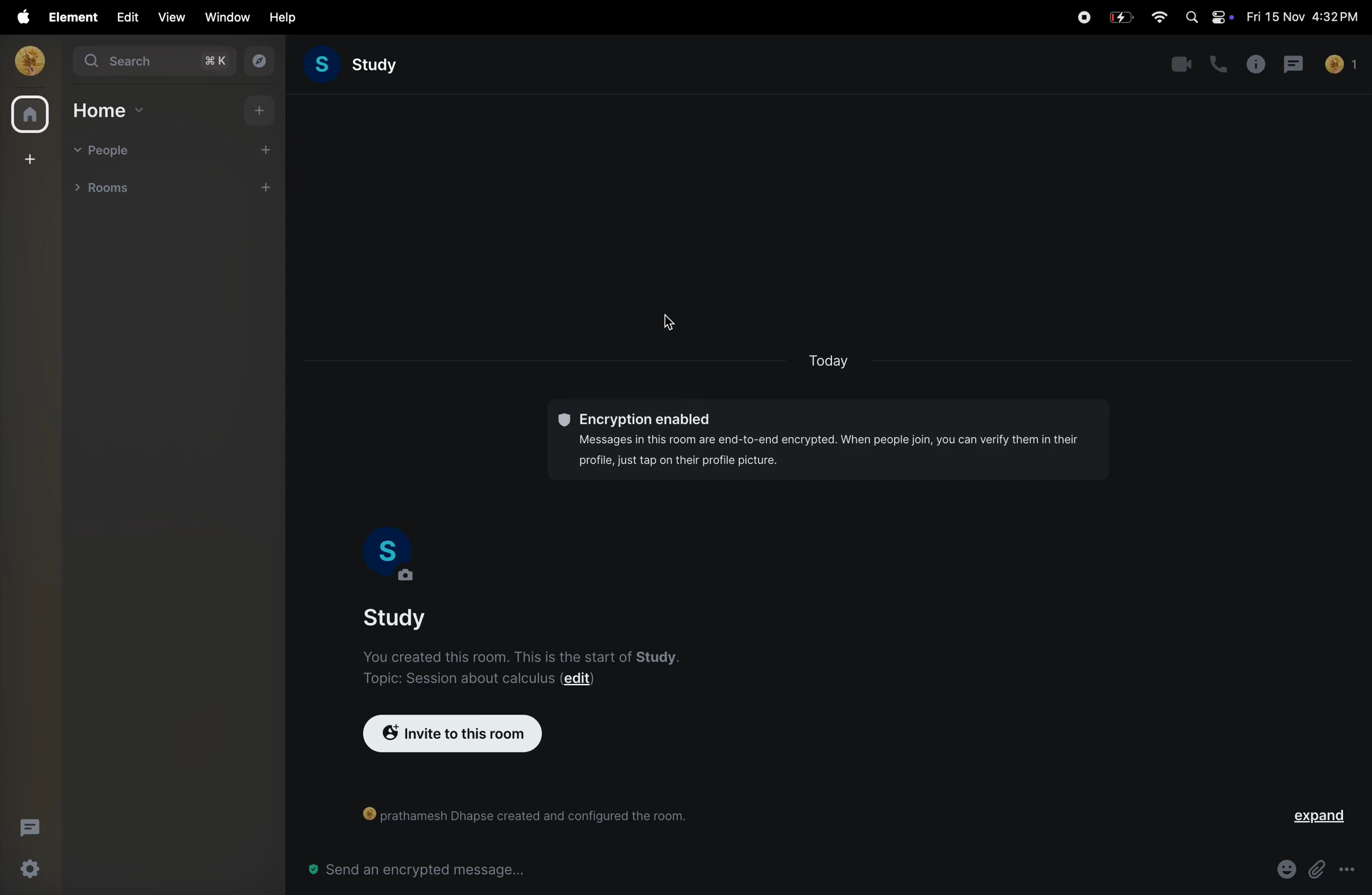 The image size is (1372, 895). What do you see at coordinates (541, 666) in the screenshot?
I see `description` at bounding box center [541, 666].